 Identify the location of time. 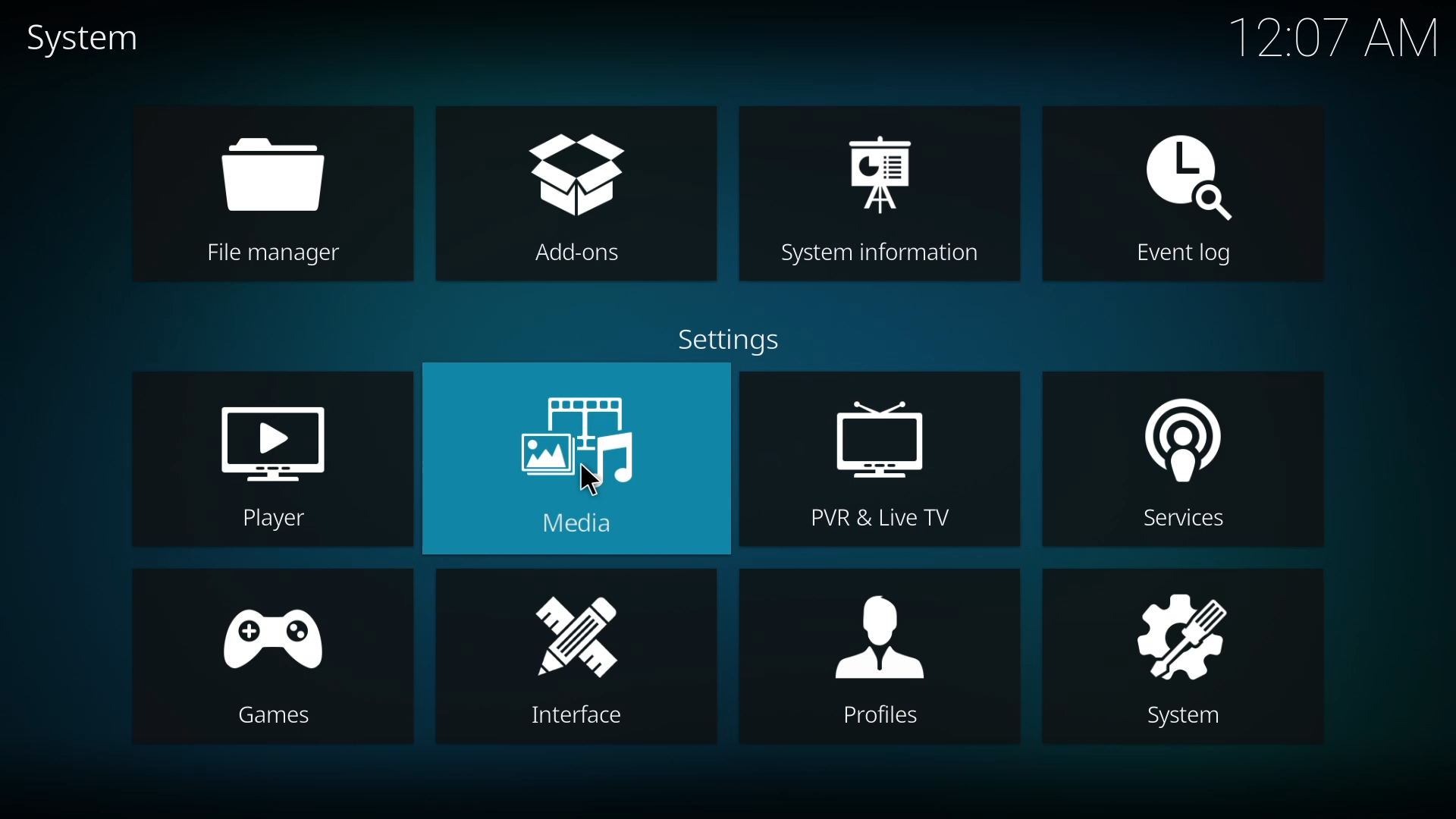
(1335, 36).